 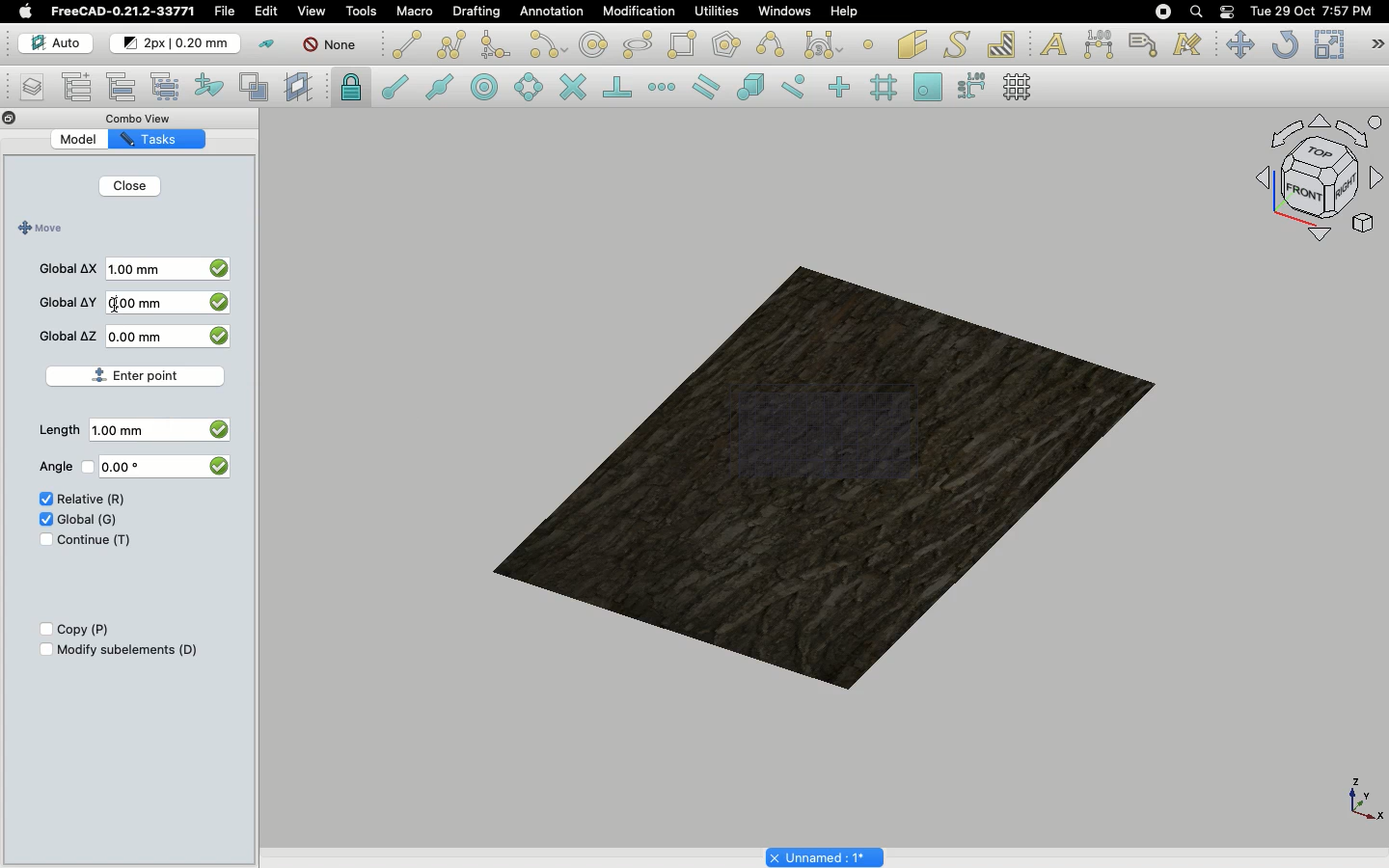 What do you see at coordinates (221, 266) in the screenshot?
I see `checkbox` at bounding box center [221, 266].